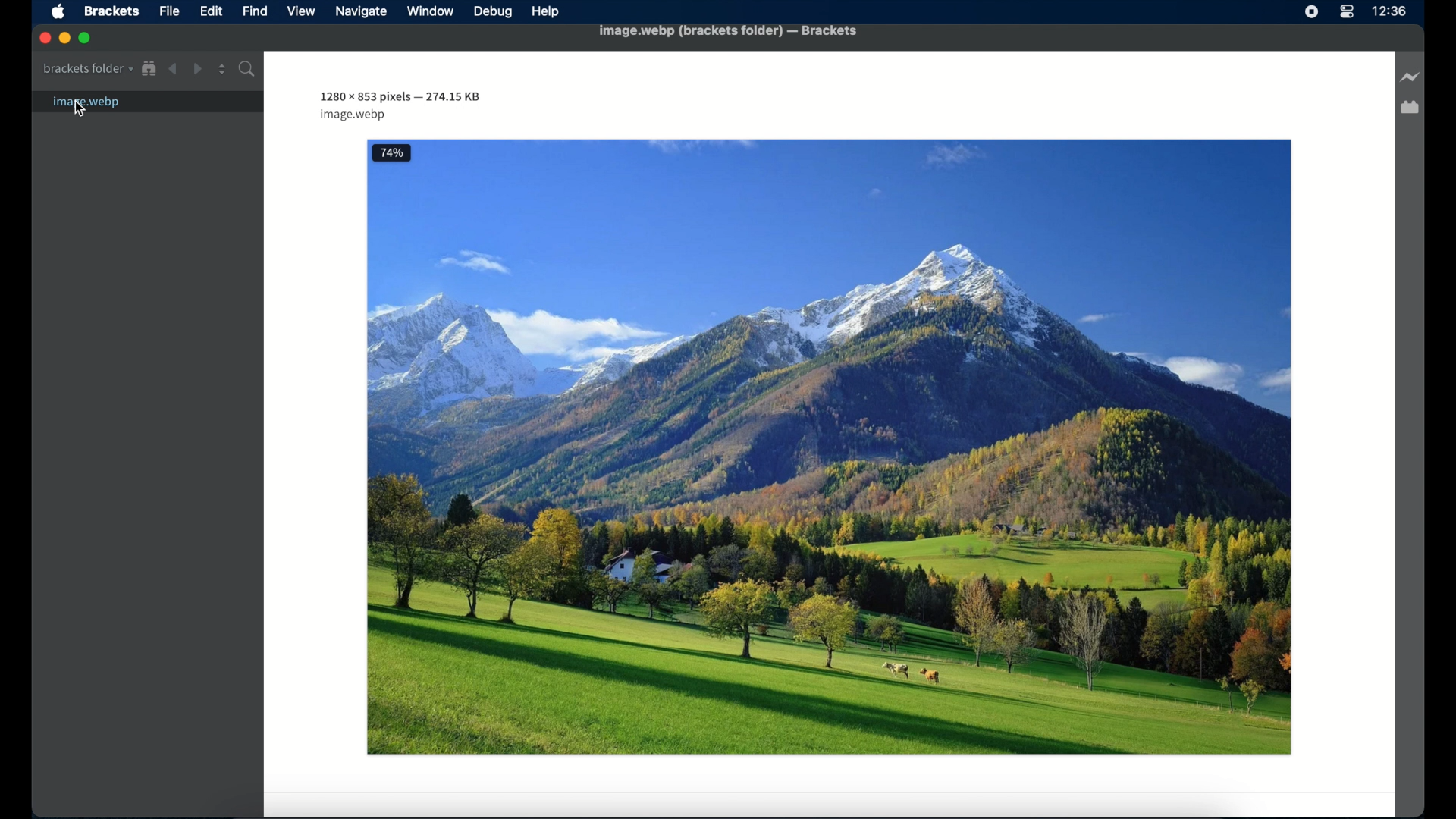 The image size is (1456, 819). What do you see at coordinates (86, 39) in the screenshot?
I see `maximize icon` at bounding box center [86, 39].